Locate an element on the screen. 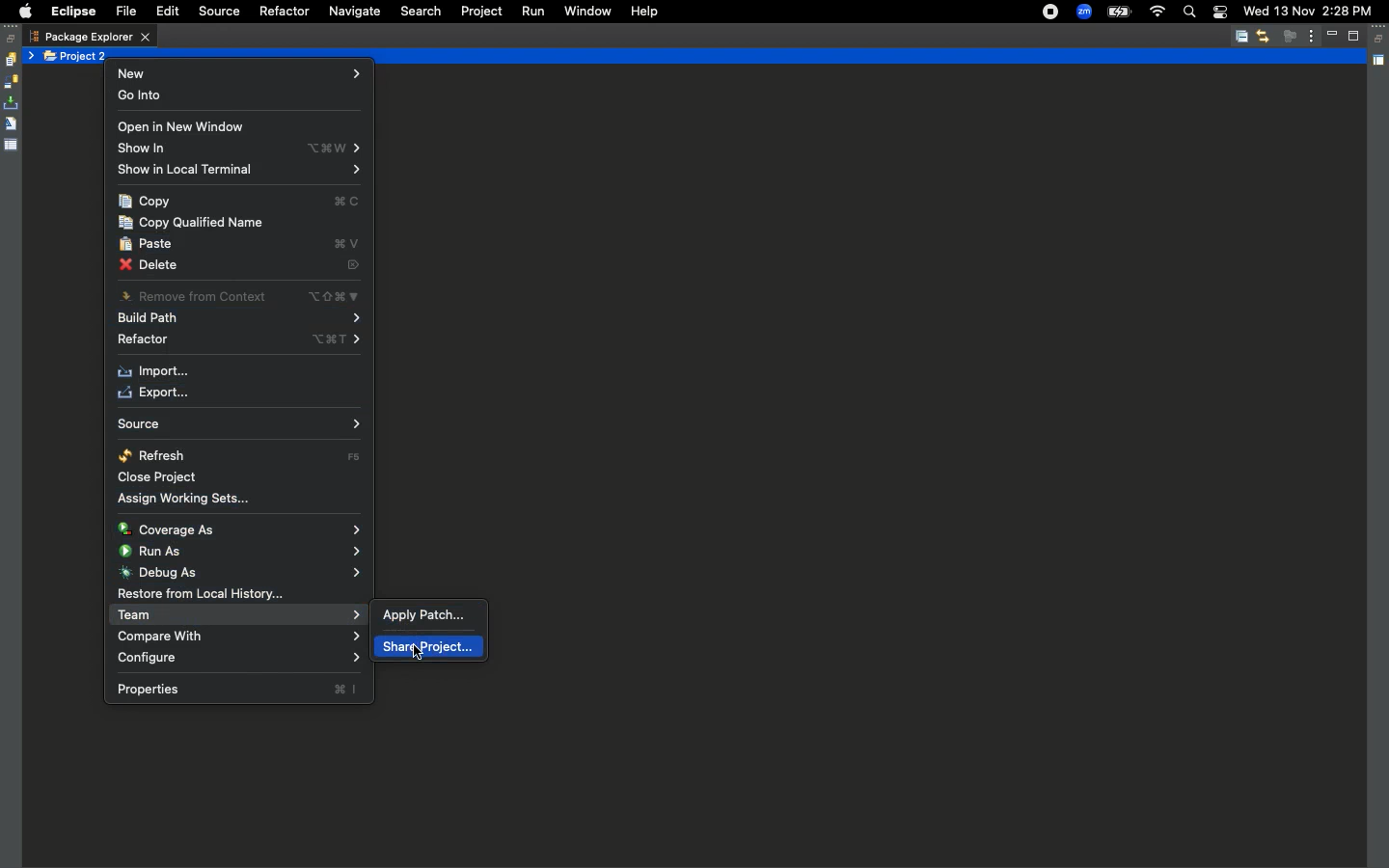 The image size is (1389, 868). Wed 13 Nov 2:28 PM is located at coordinates (1307, 10).